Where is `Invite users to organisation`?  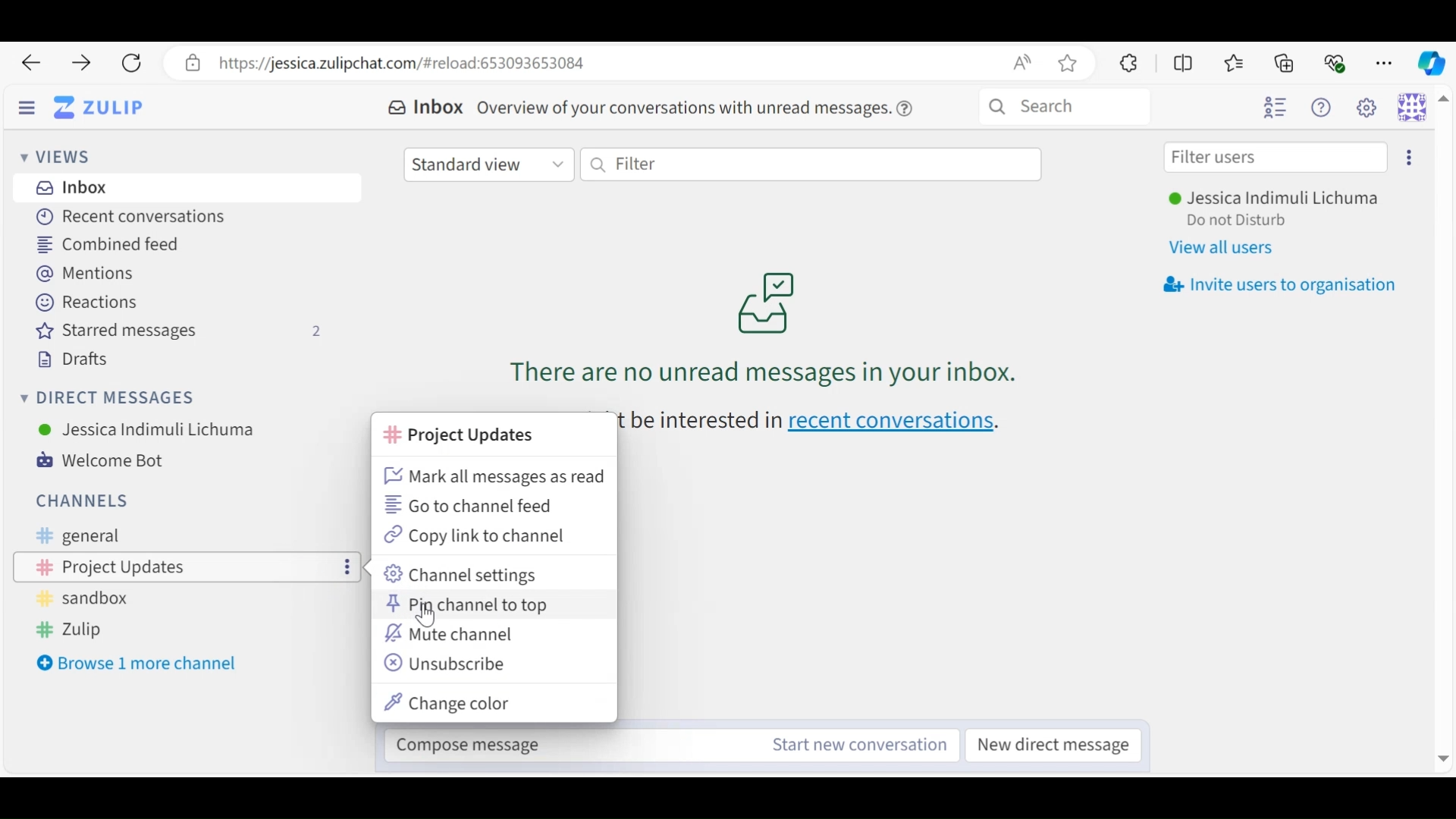
Invite users to organisation is located at coordinates (1408, 158).